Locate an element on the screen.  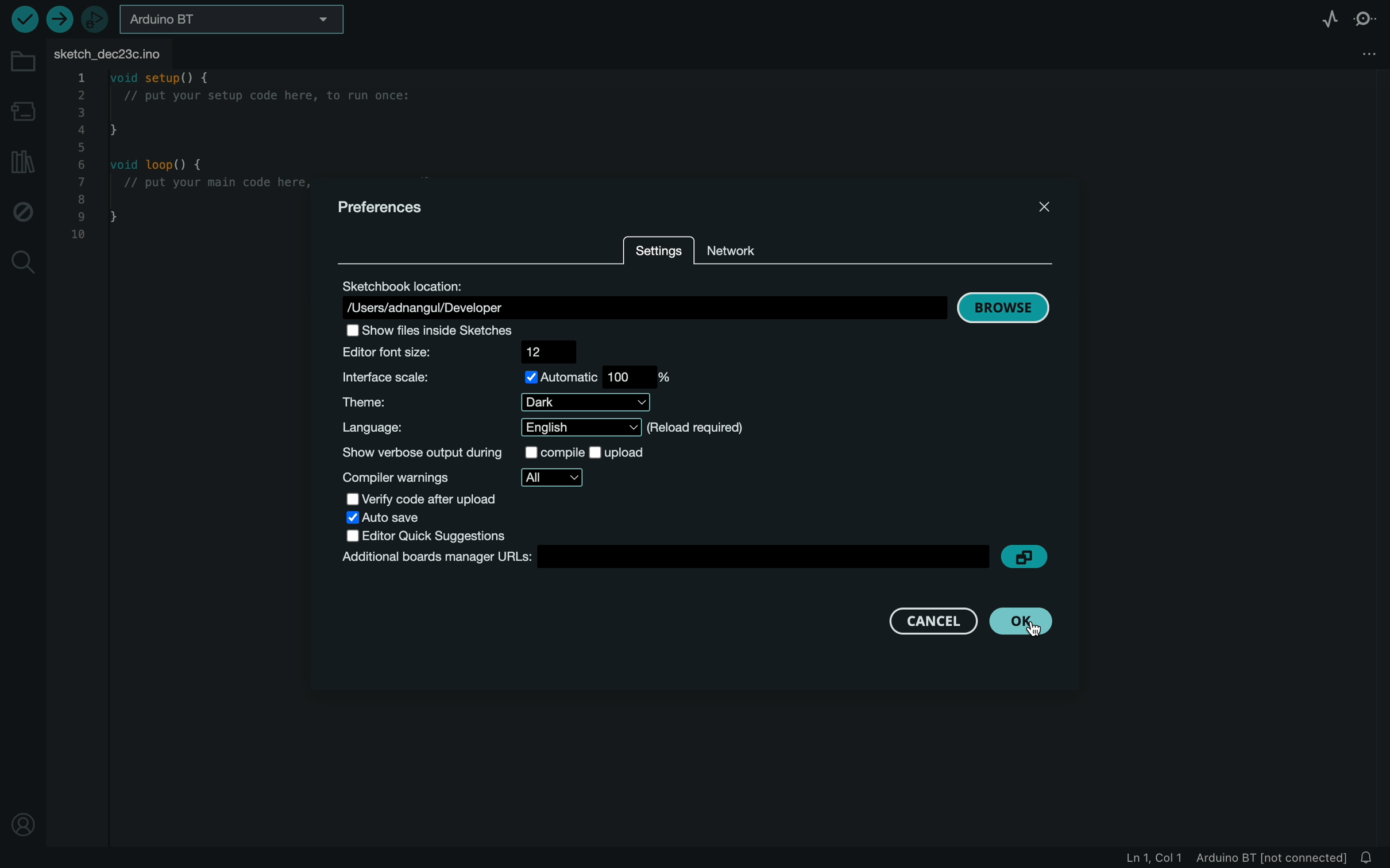
library is located at coordinates (22, 164).